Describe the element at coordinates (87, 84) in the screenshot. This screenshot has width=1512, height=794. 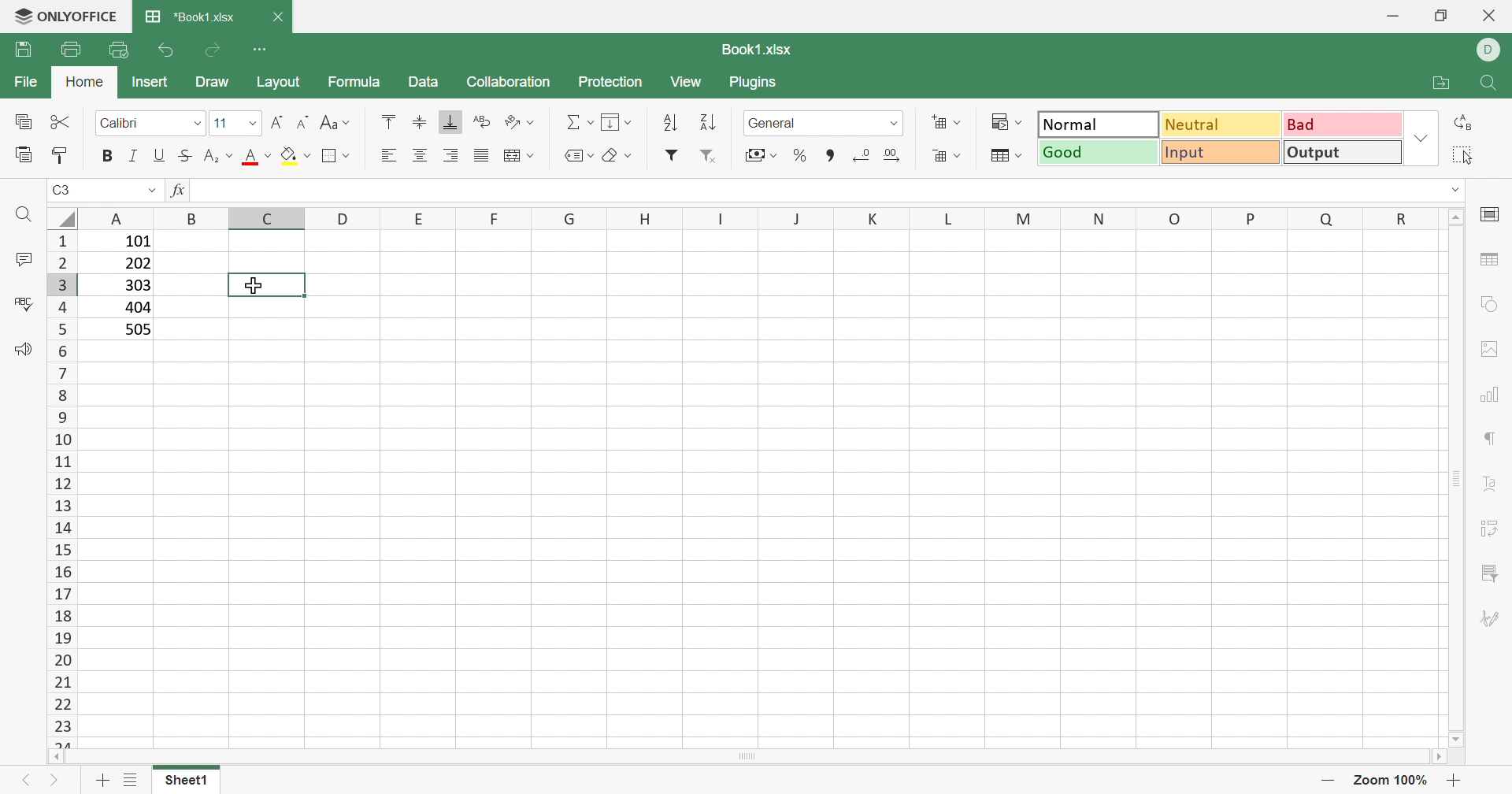
I see `Home` at that location.